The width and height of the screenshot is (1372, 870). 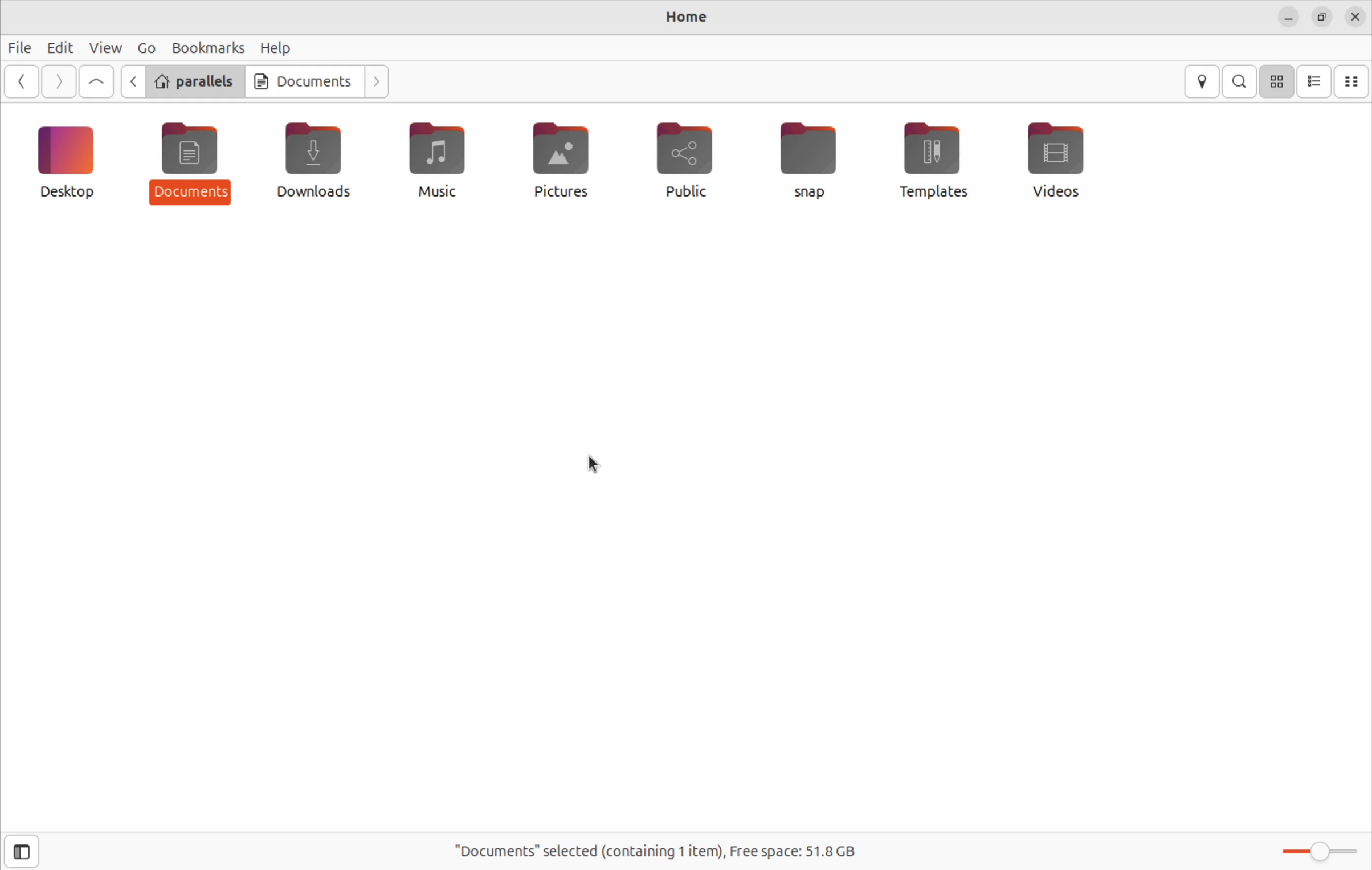 What do you see at coordinates (814, 160) in the screenshot?
I see `snap` at bounding box center [814, 160].